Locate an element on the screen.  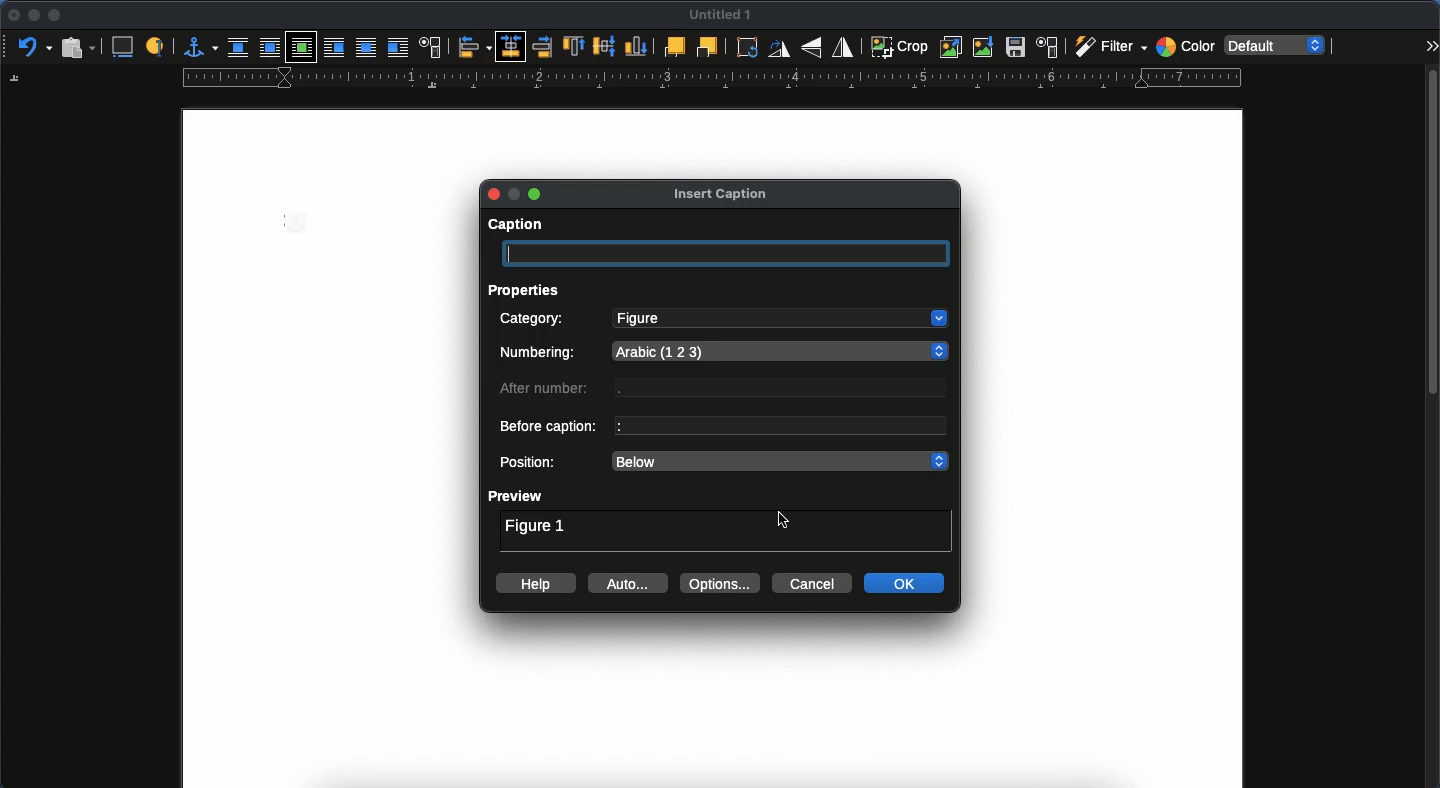
options is located at coordinates (723, 583).